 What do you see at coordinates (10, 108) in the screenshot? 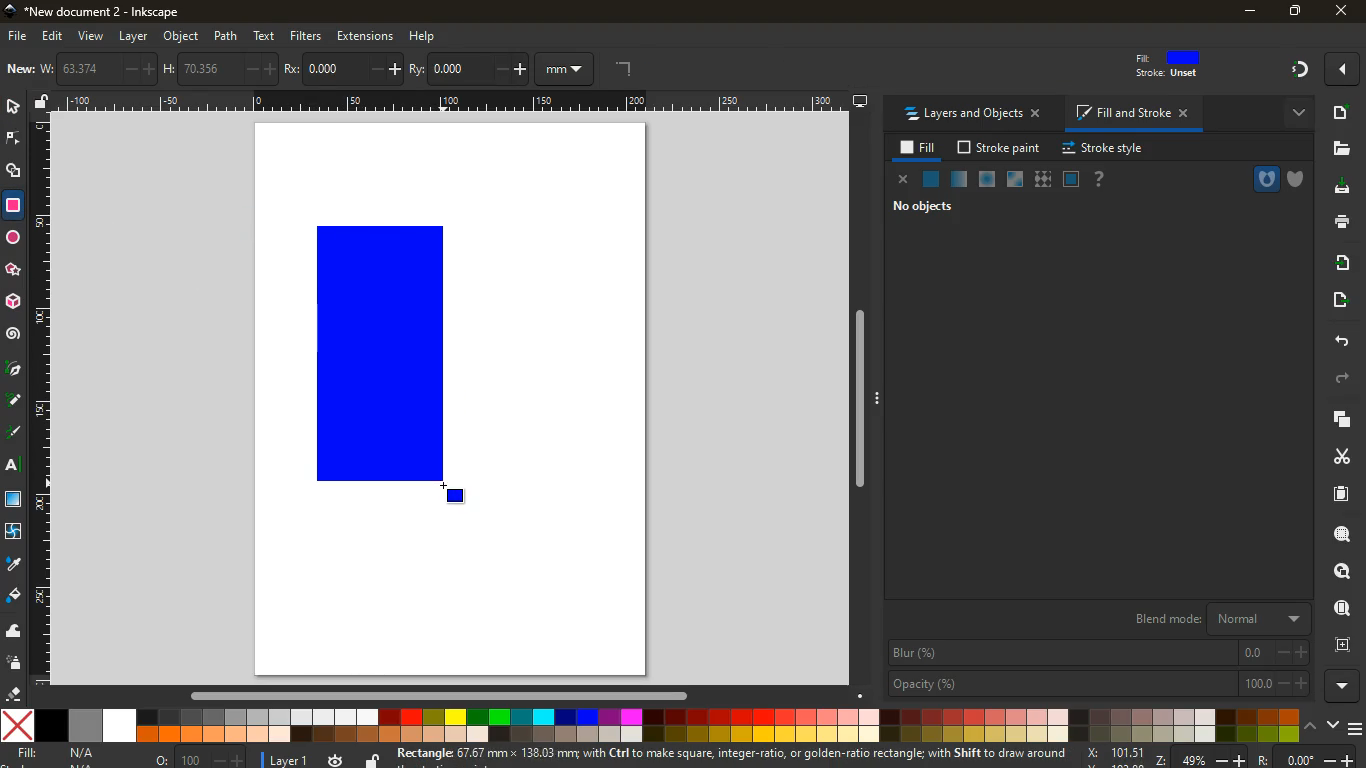
I see `select` at bounding box center [10, 108].